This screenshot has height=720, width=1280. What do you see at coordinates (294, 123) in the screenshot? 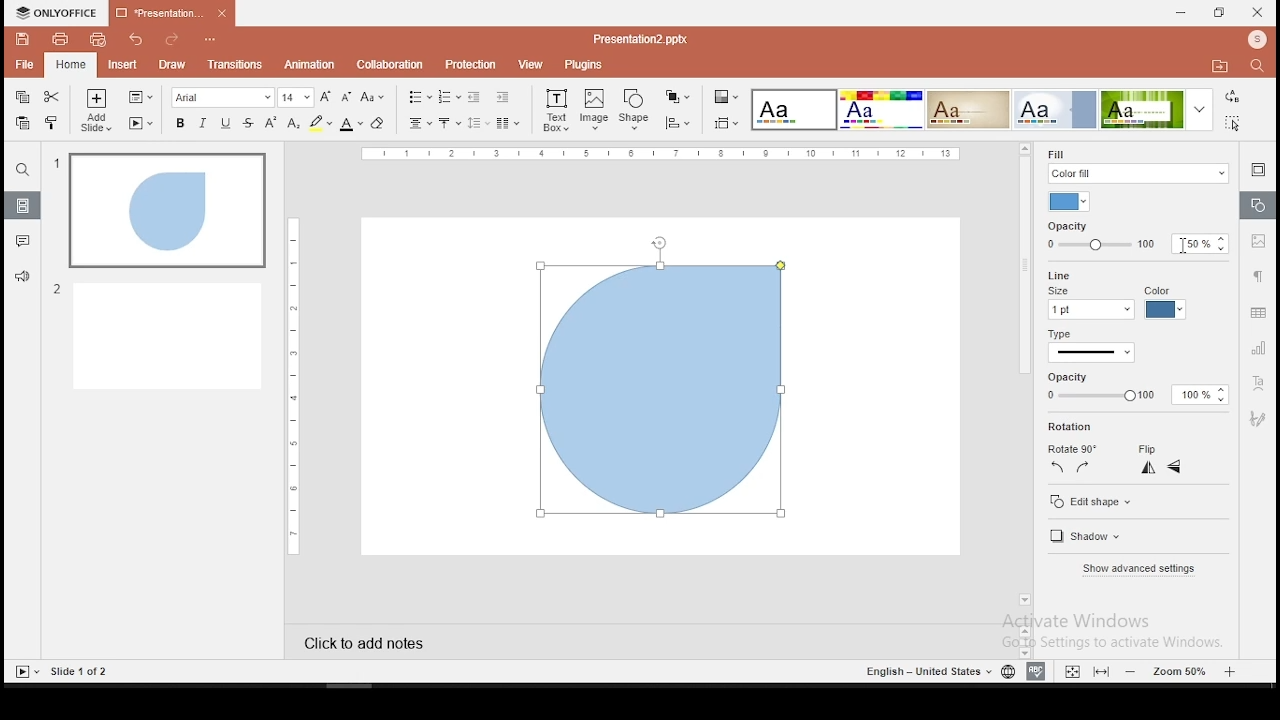
I see `subscript` at bounding box center [294, 123].